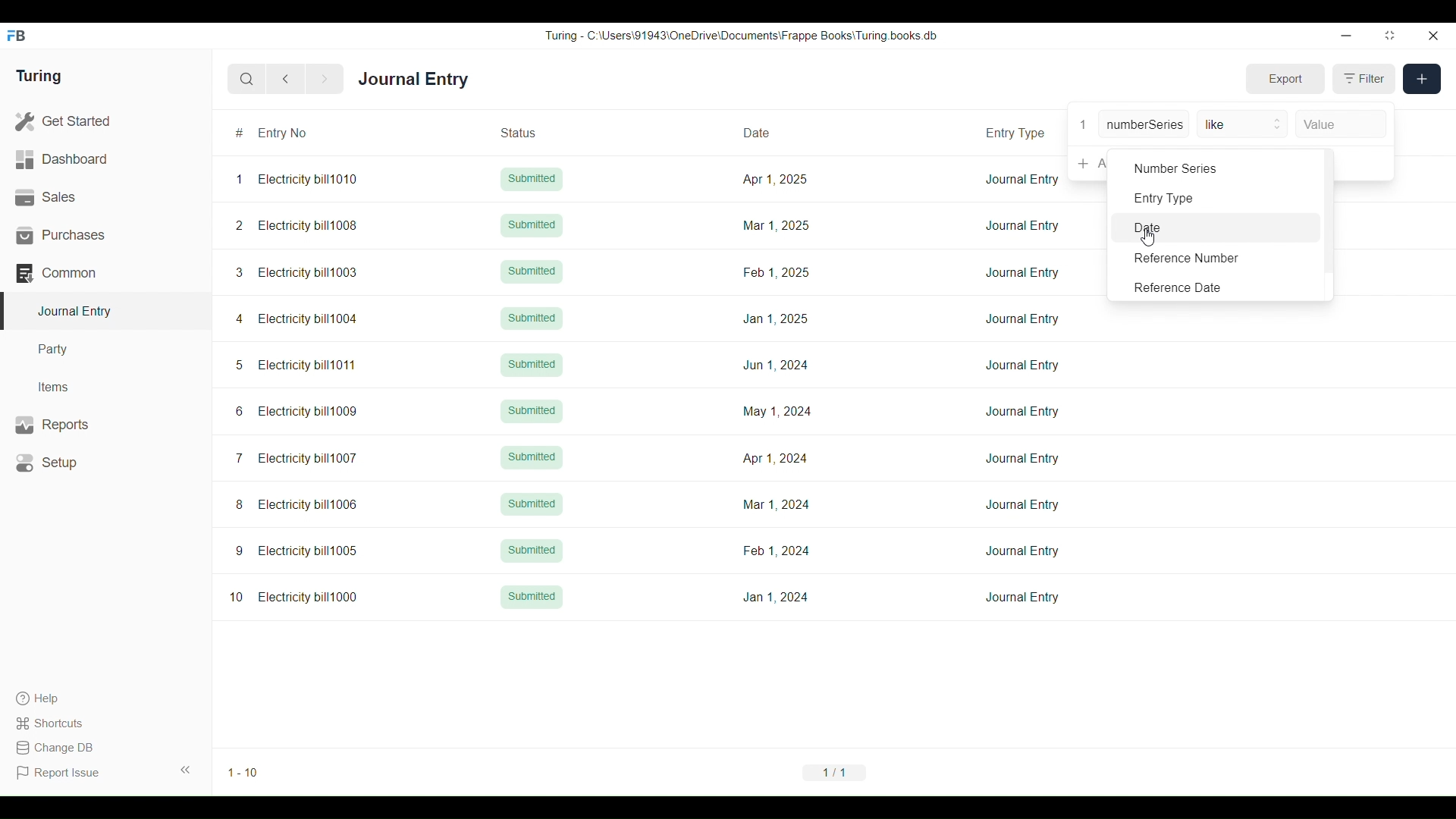 The height and width of the screenshot is (819, 1456). Describe the element at coordinates (774, 458) in the screenshot. I see `Apr 1, 2024` at that location.